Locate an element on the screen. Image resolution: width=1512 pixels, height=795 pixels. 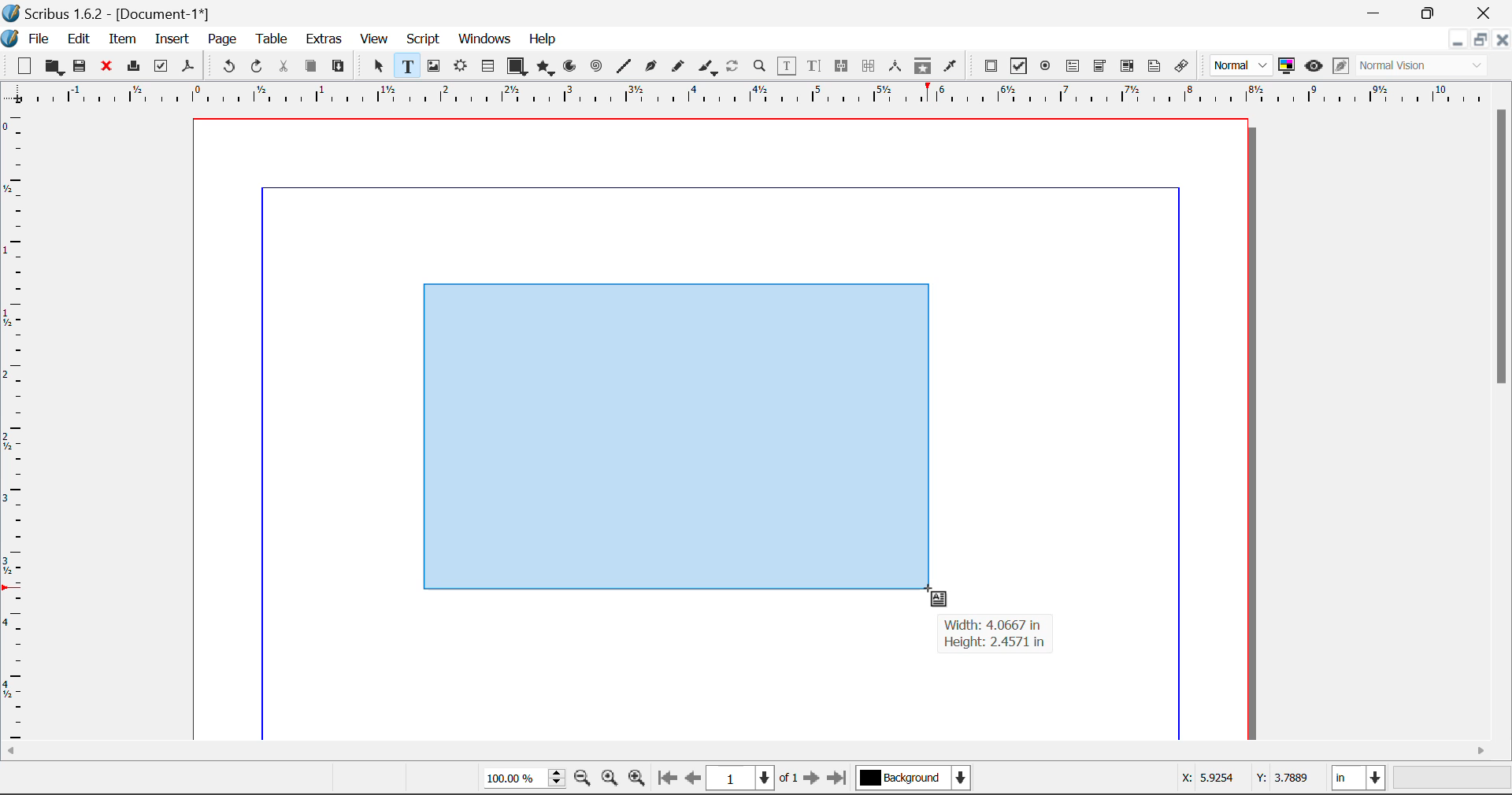
View is located at coordinates (375, 40).